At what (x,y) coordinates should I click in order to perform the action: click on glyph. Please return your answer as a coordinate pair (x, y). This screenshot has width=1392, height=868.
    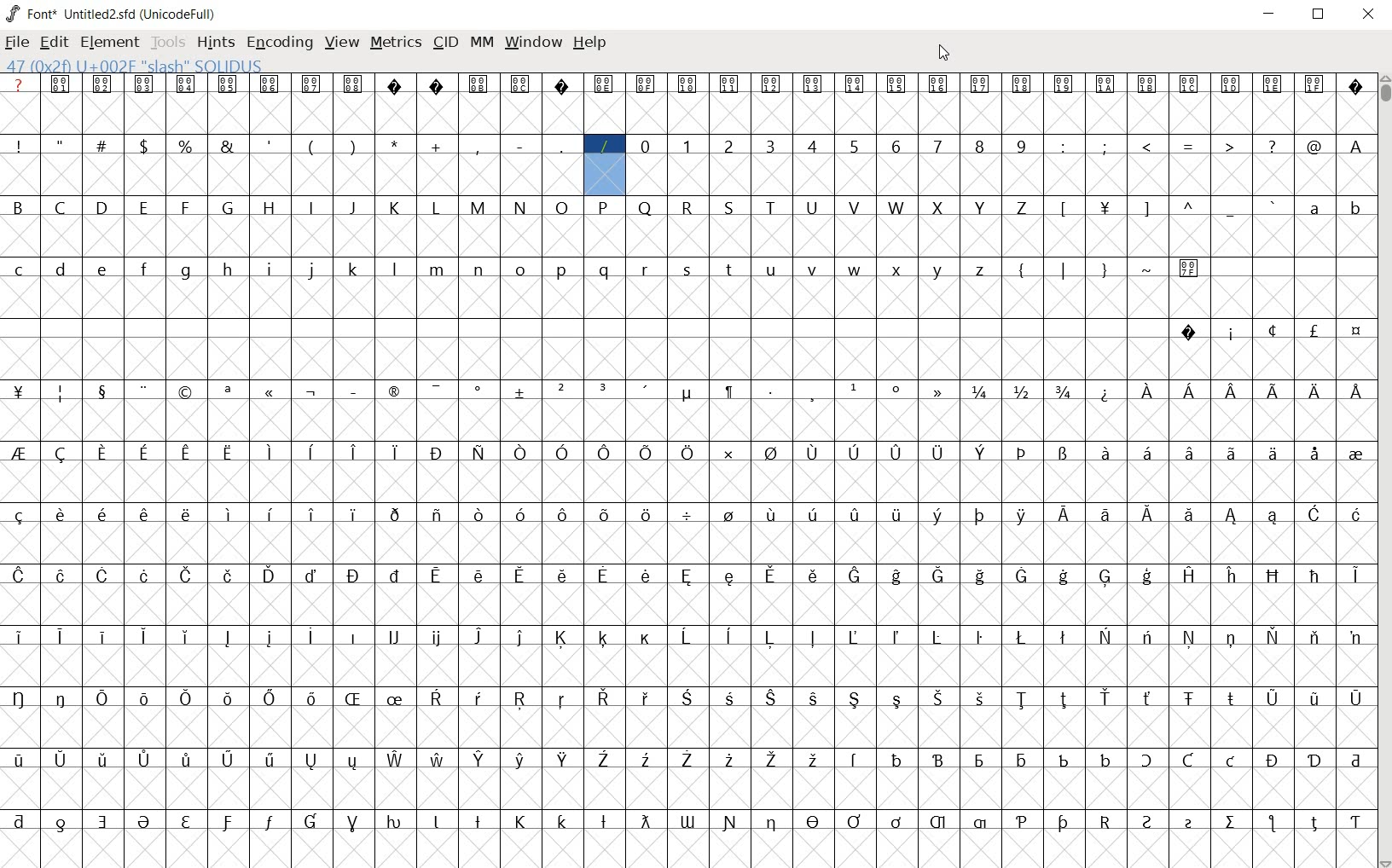
    Looking at the image, I should click on (1022, 84).